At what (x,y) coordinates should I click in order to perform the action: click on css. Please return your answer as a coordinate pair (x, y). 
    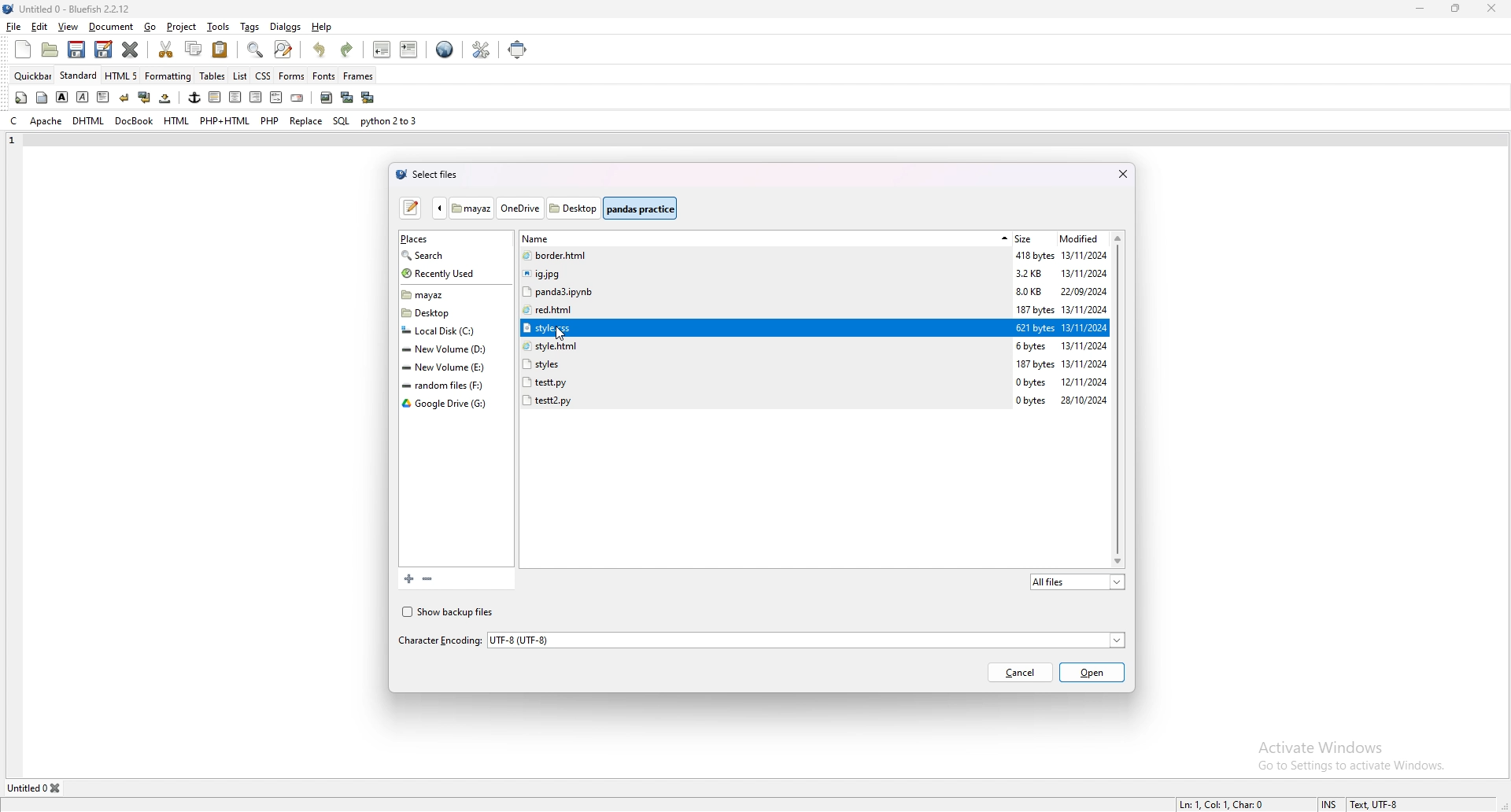
    Looking at the image, I should click on (263, 76).